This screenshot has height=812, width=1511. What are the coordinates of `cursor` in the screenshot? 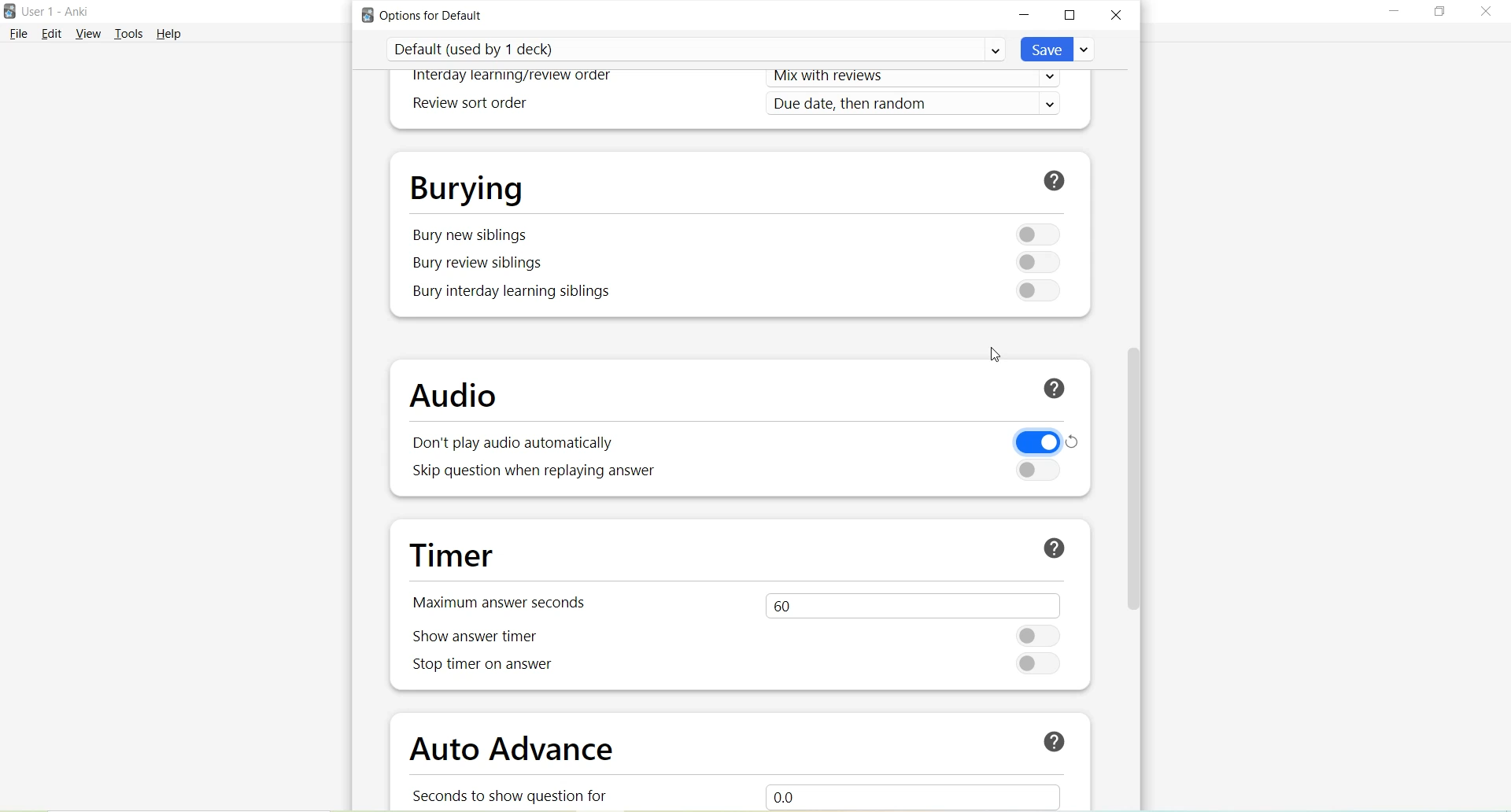 It's located at (1135, 424).